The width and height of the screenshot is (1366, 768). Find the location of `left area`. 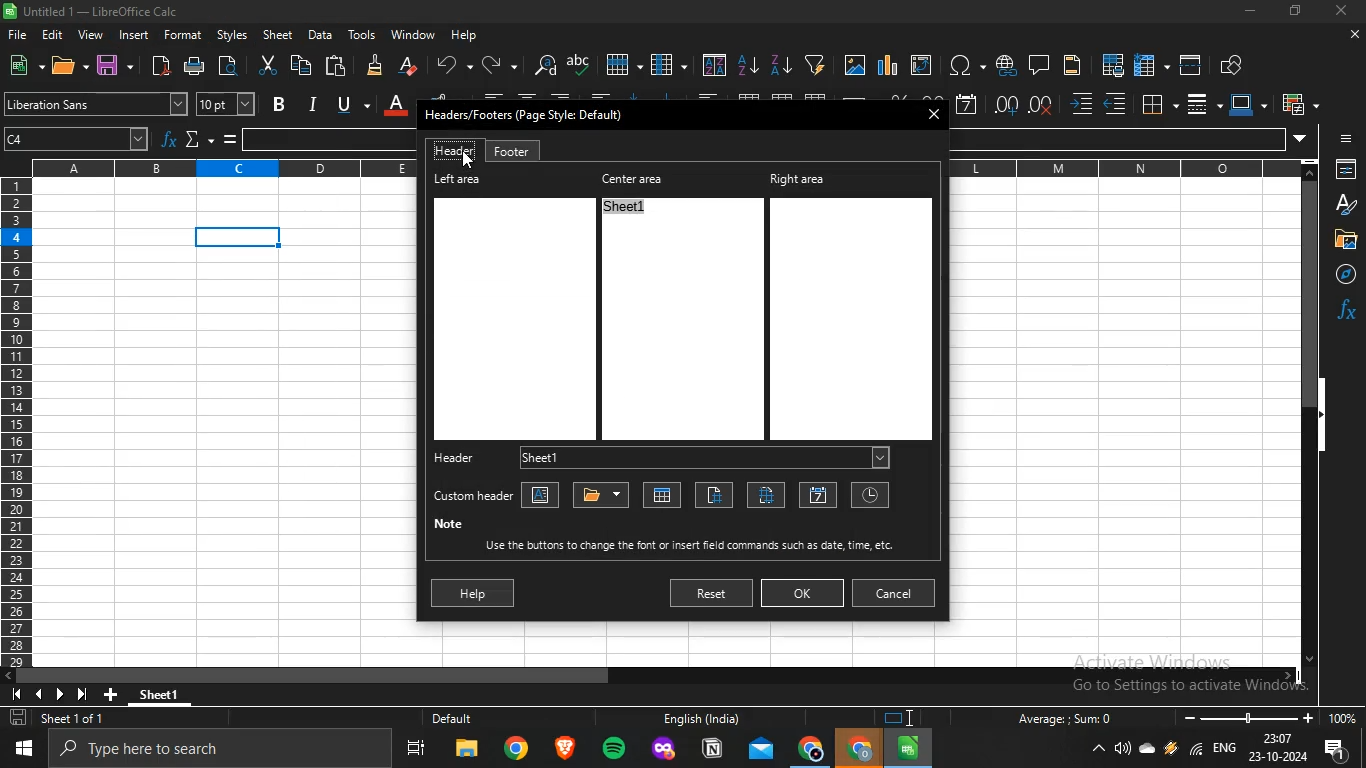

left area is located at coordinates (511, 306).